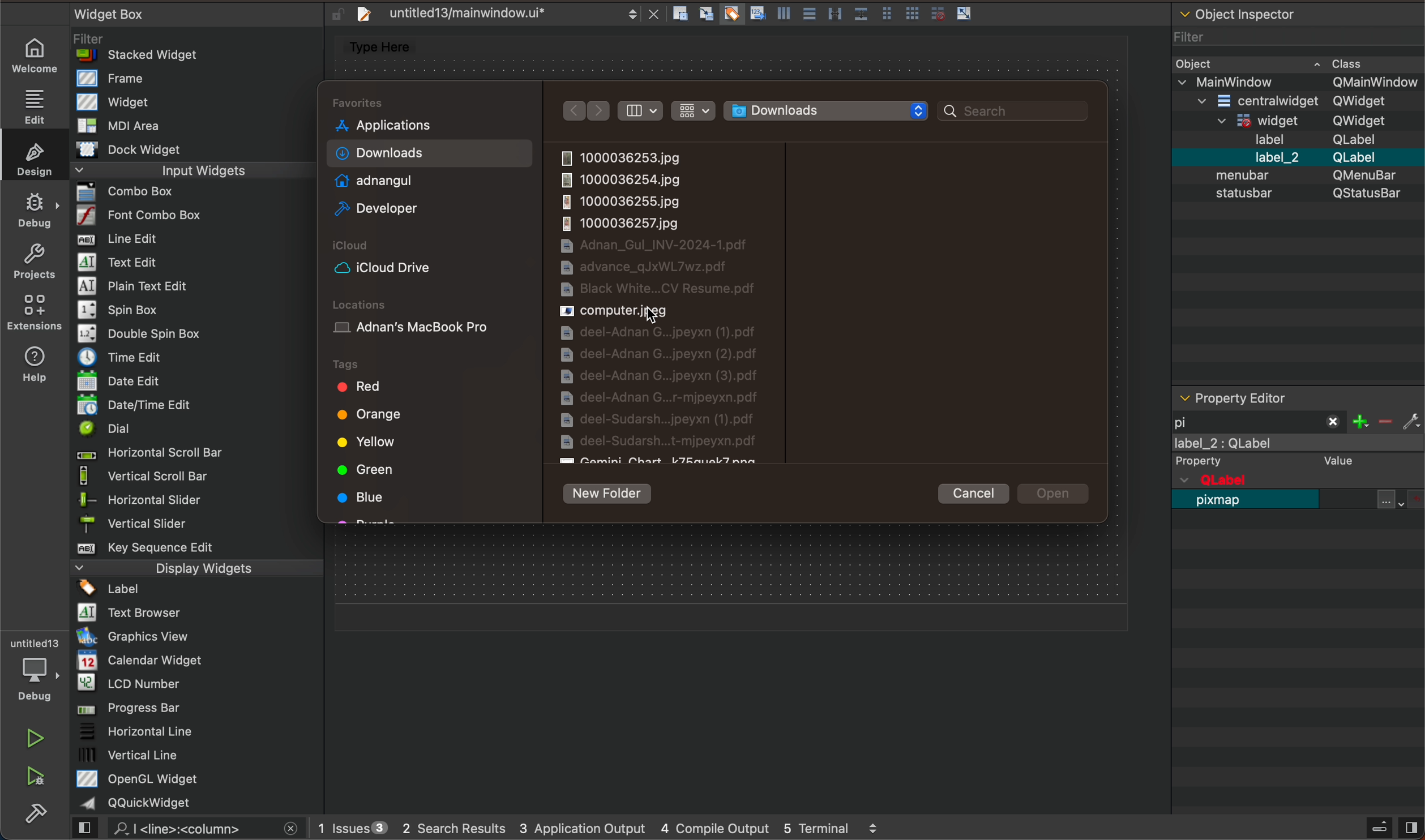 This screenshot has height=840, width=1425. I want to click on , so click(697, 110).